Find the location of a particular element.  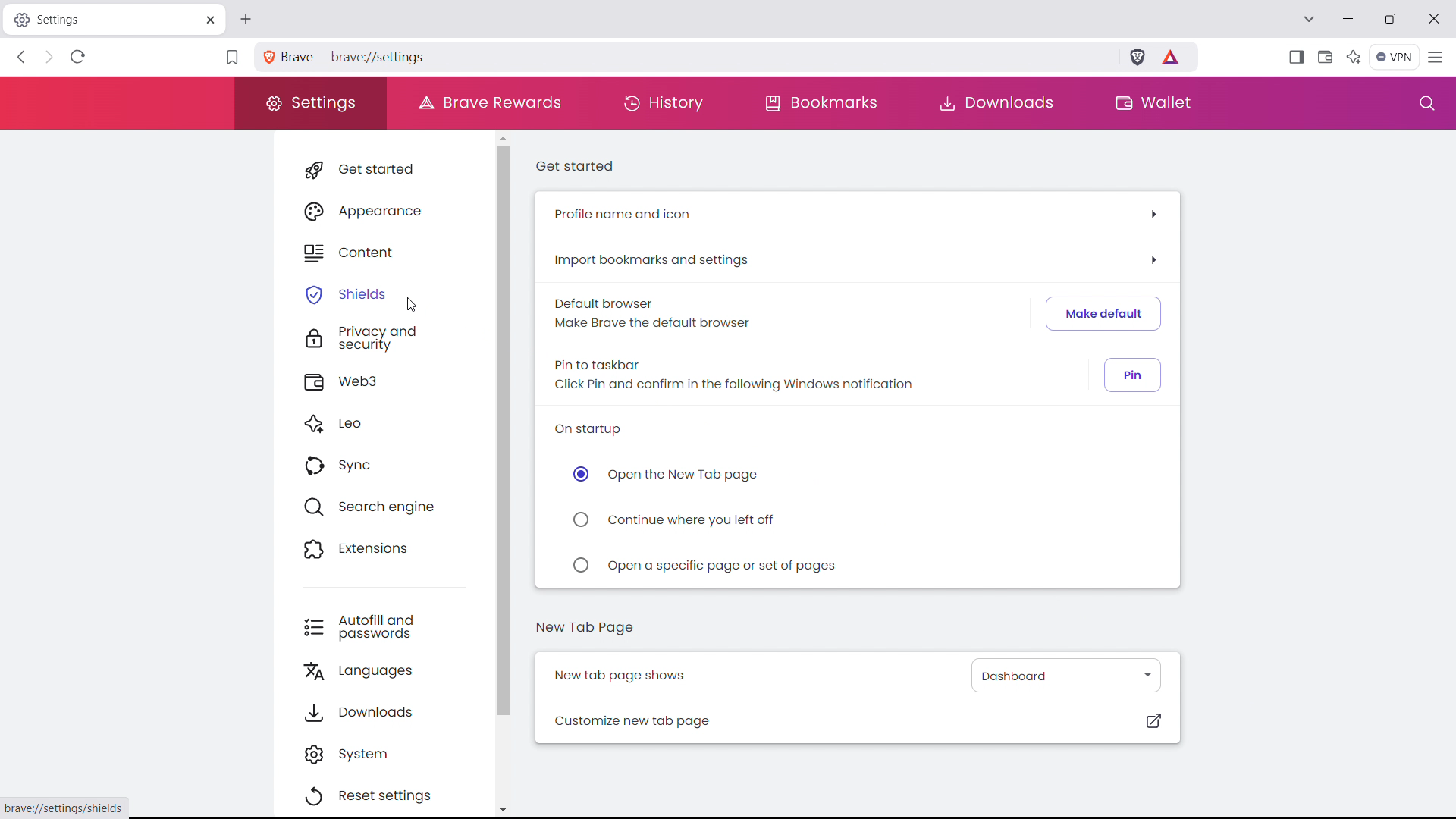

close is located at coordinates (1432, 18).